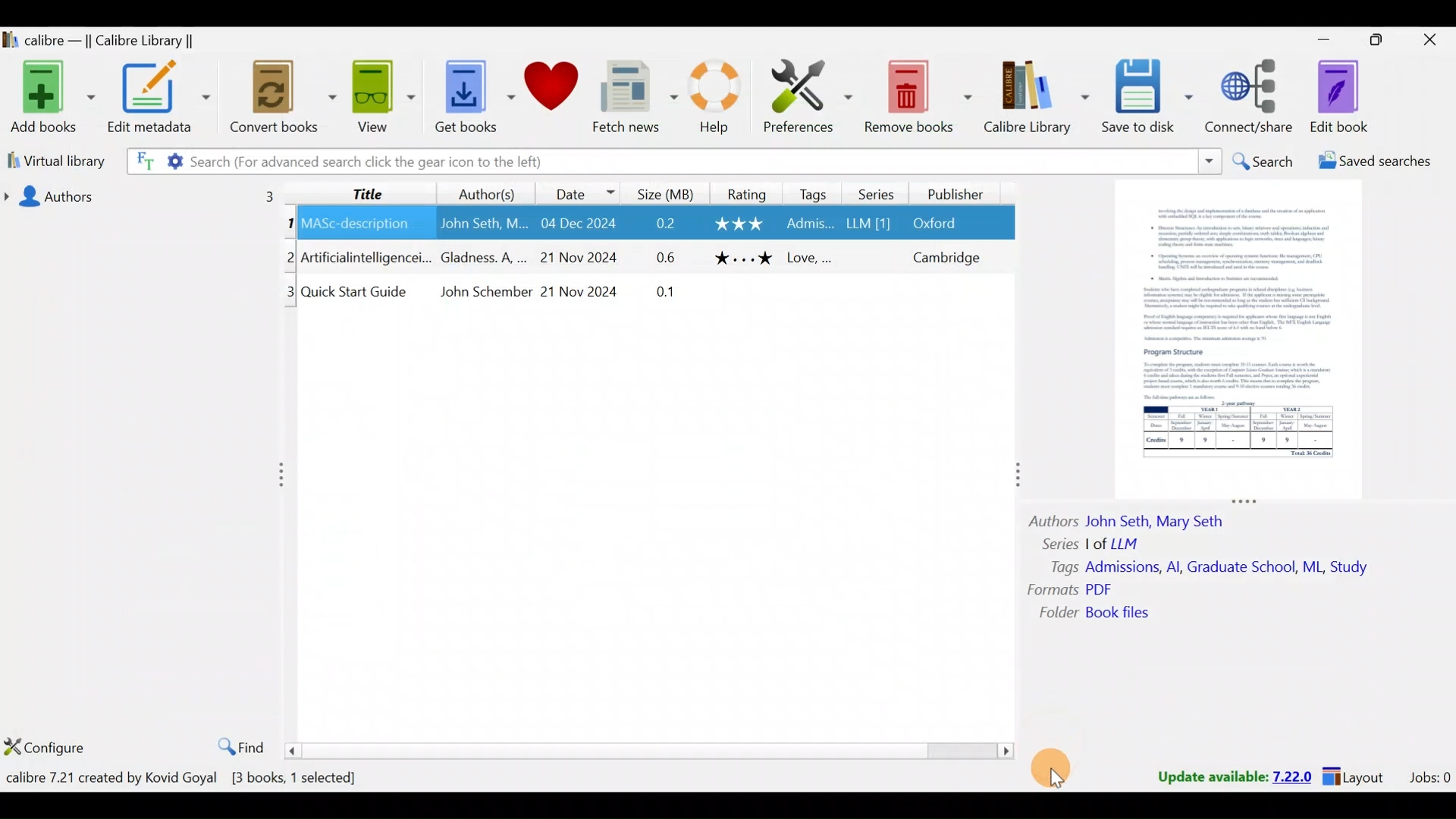 This screenshot has height=819, width=1456. Describe the element at coordinates (1103, 588) in the screenshot. I see `` at that location.